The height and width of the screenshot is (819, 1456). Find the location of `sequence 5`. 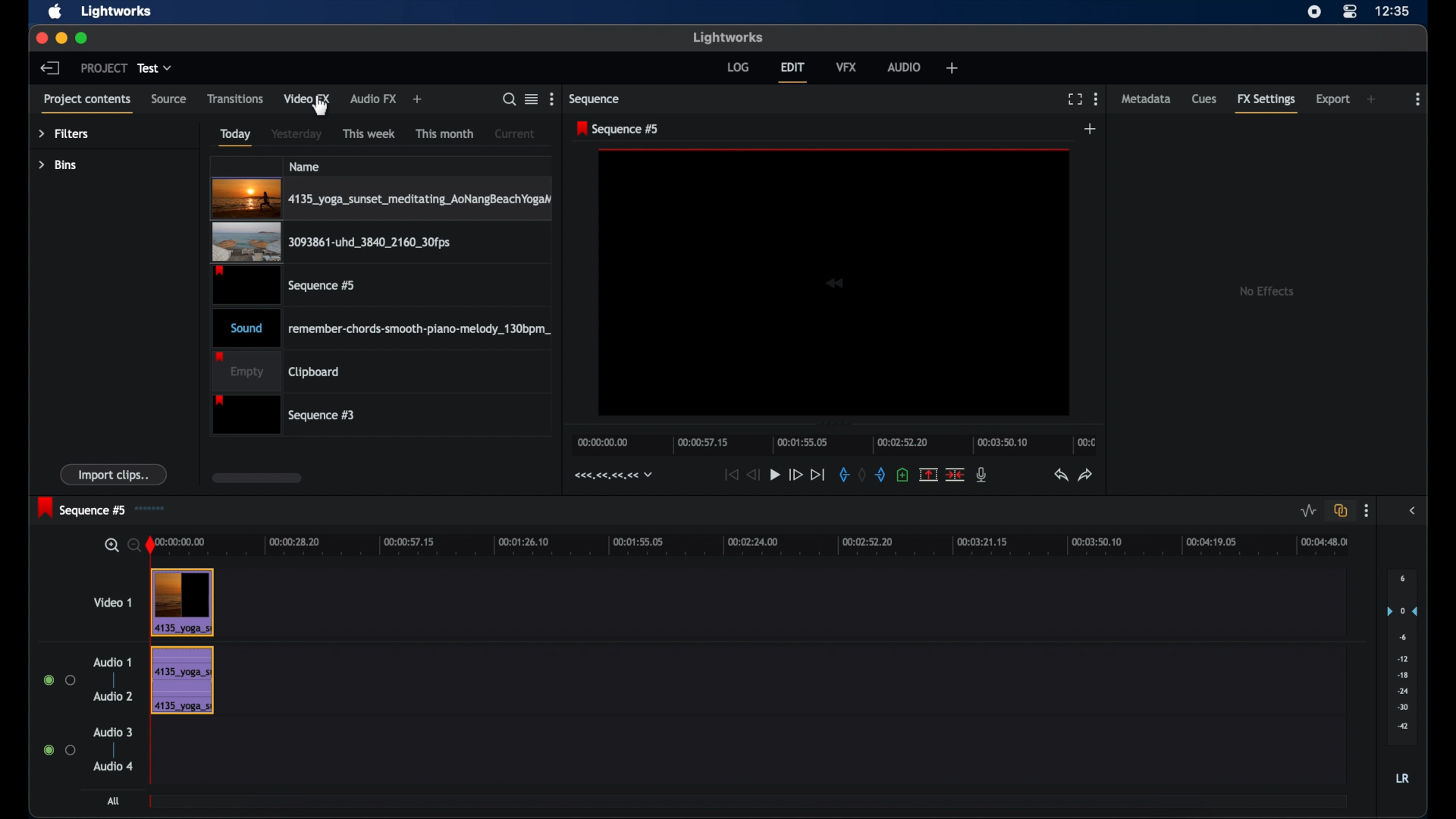

sequence 5 is located at coordinates (618, 129).